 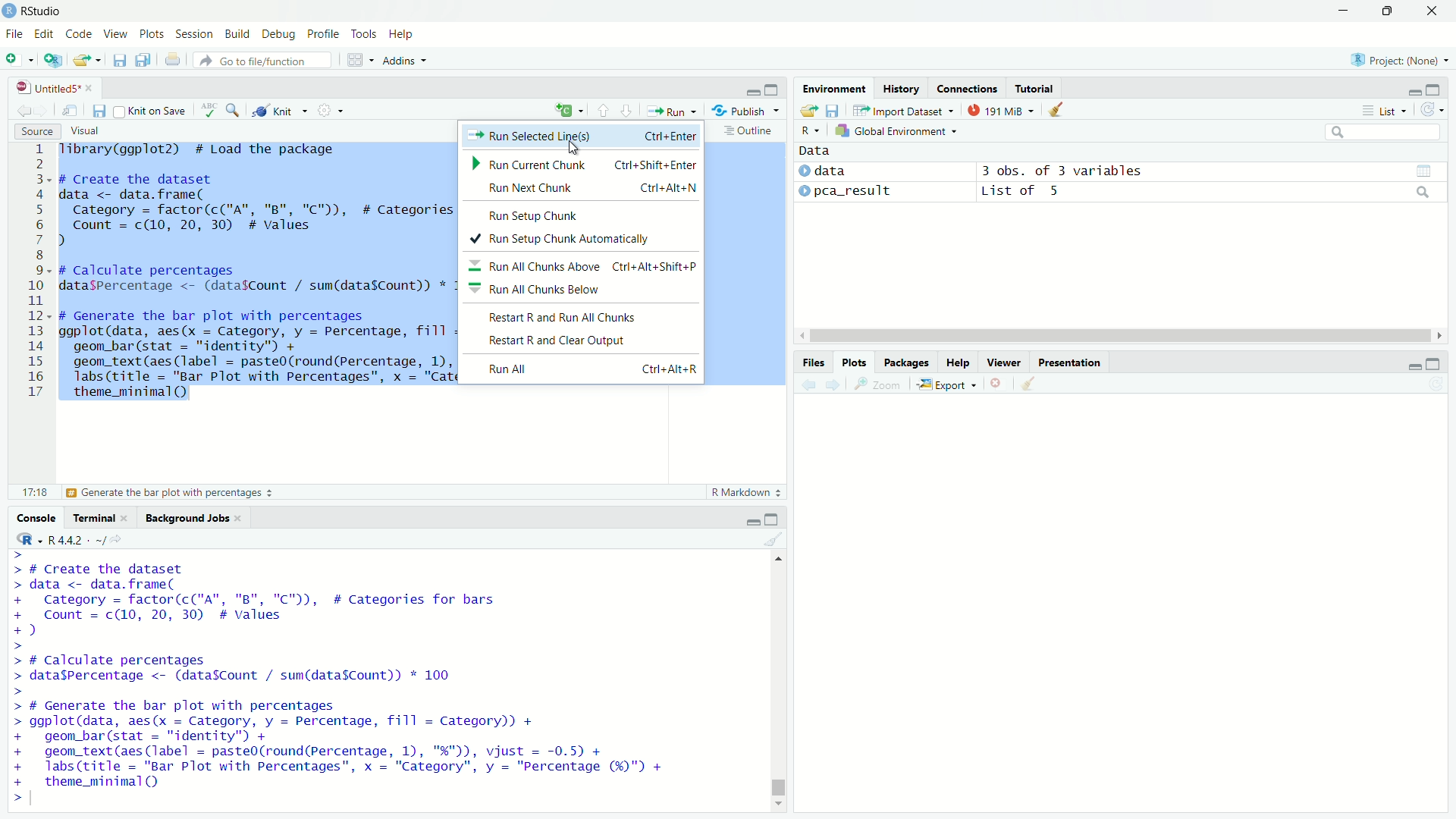 What do you see at coordinates (403, 60) in the screenshot?
I see `addins` at bounding box center [403, 60].